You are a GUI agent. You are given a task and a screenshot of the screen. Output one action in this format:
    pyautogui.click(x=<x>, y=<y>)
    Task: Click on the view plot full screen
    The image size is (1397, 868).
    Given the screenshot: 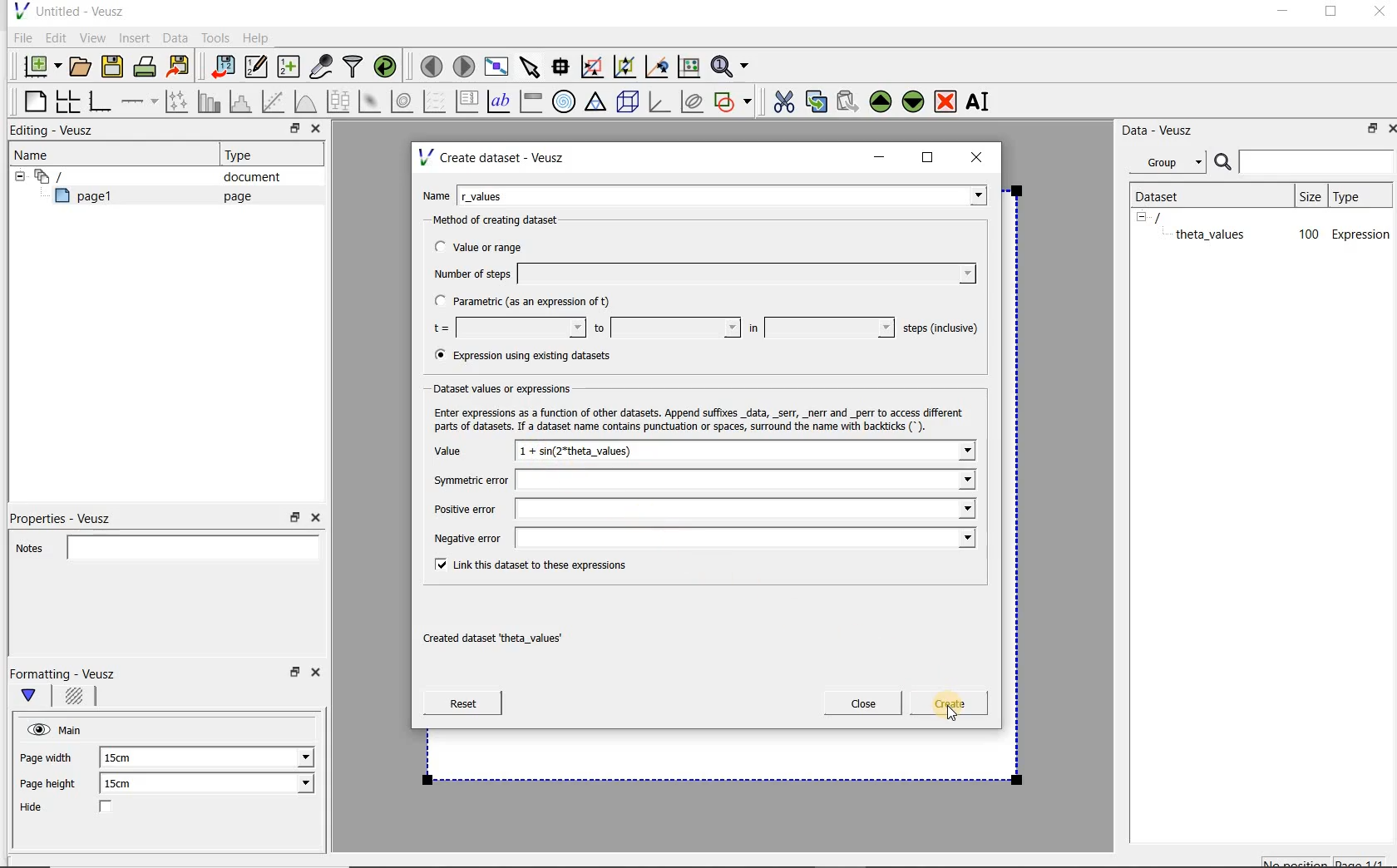 What is the action you would take?
    pyautogui.click(x=495, y=65)
    